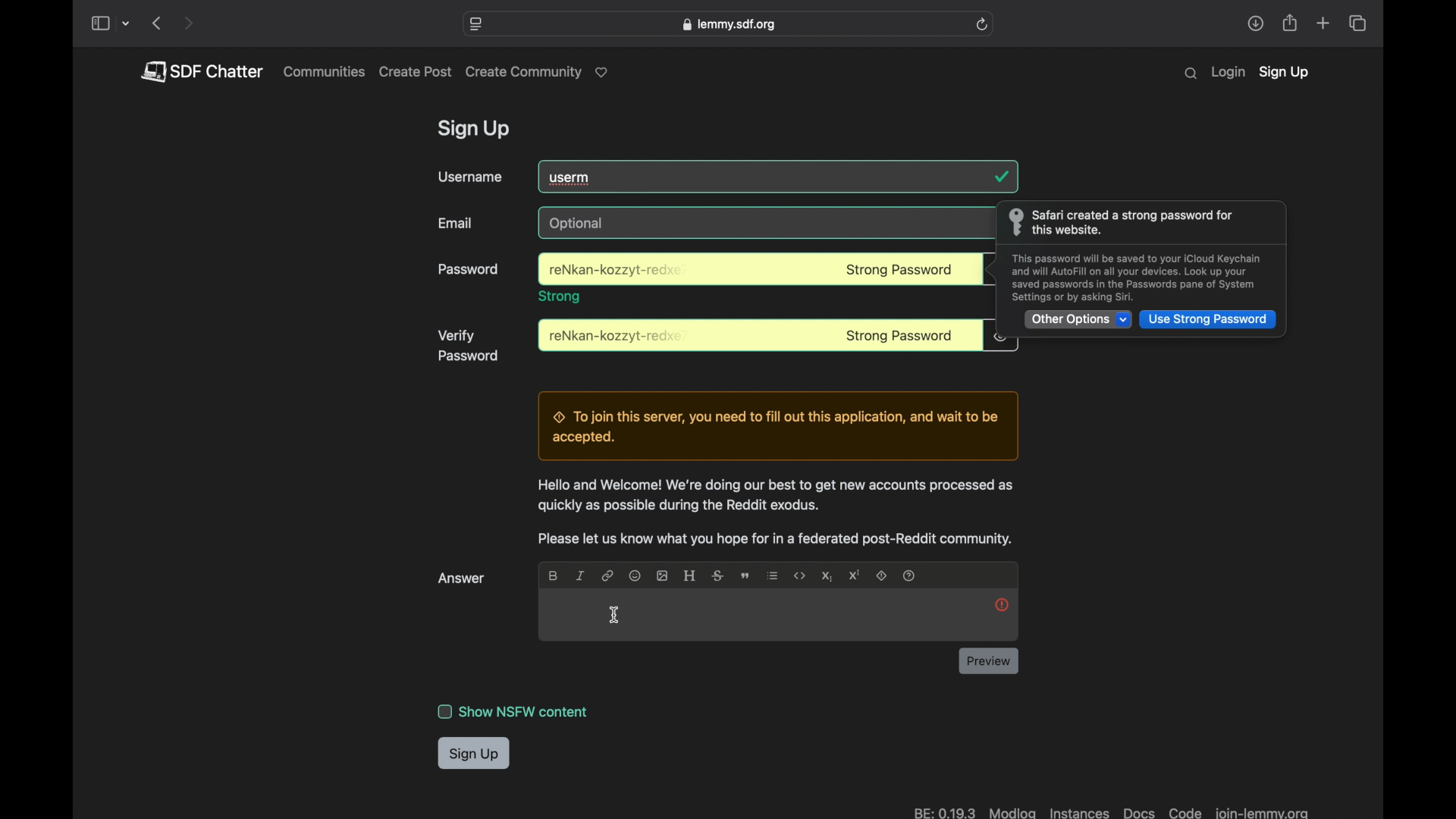  Describe the element at coordinates (1078, 319) in the screenshot. I see `other options` at that location.